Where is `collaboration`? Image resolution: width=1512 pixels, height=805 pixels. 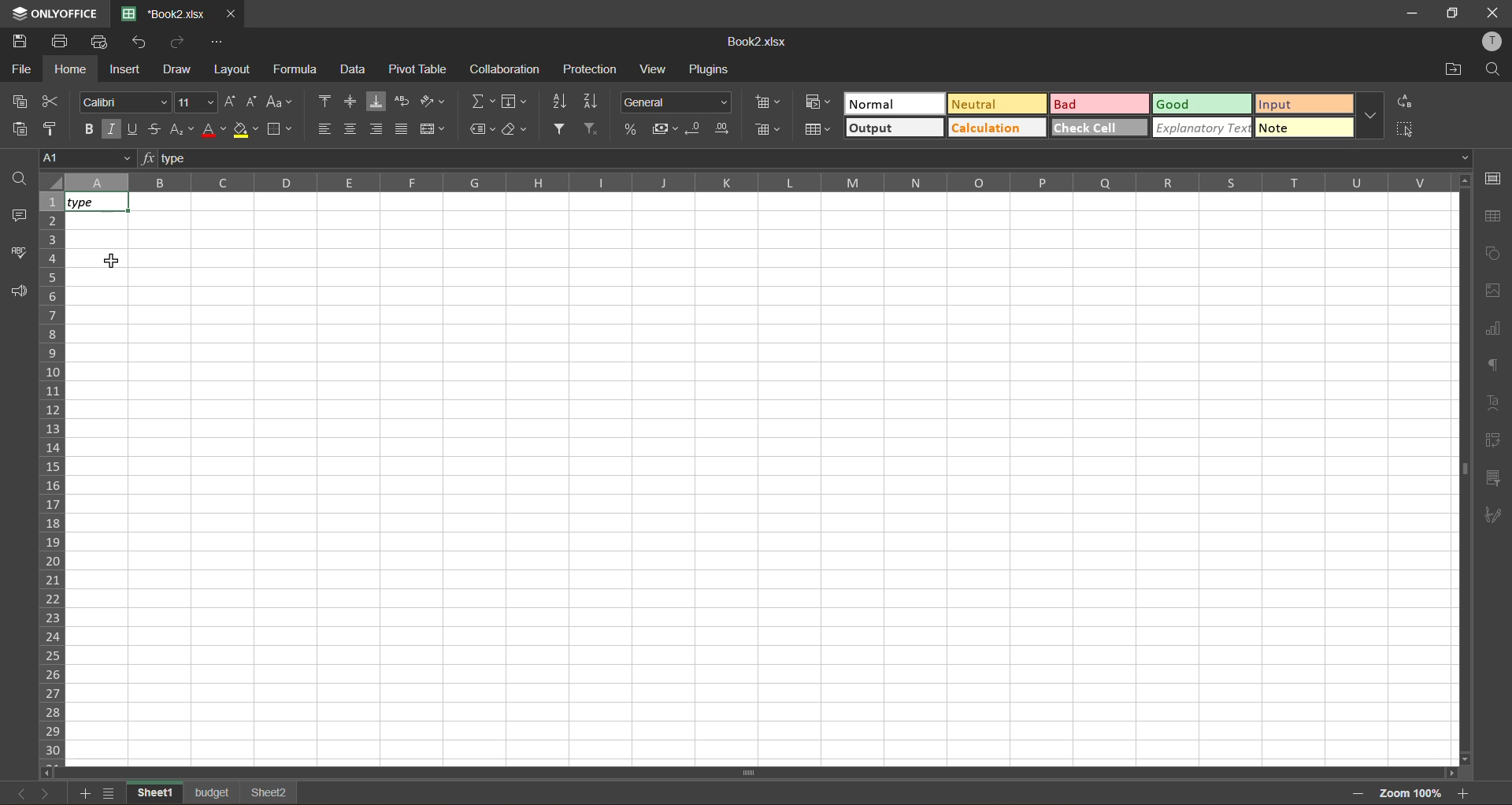
collaboration is located at coordinates (508, 69).